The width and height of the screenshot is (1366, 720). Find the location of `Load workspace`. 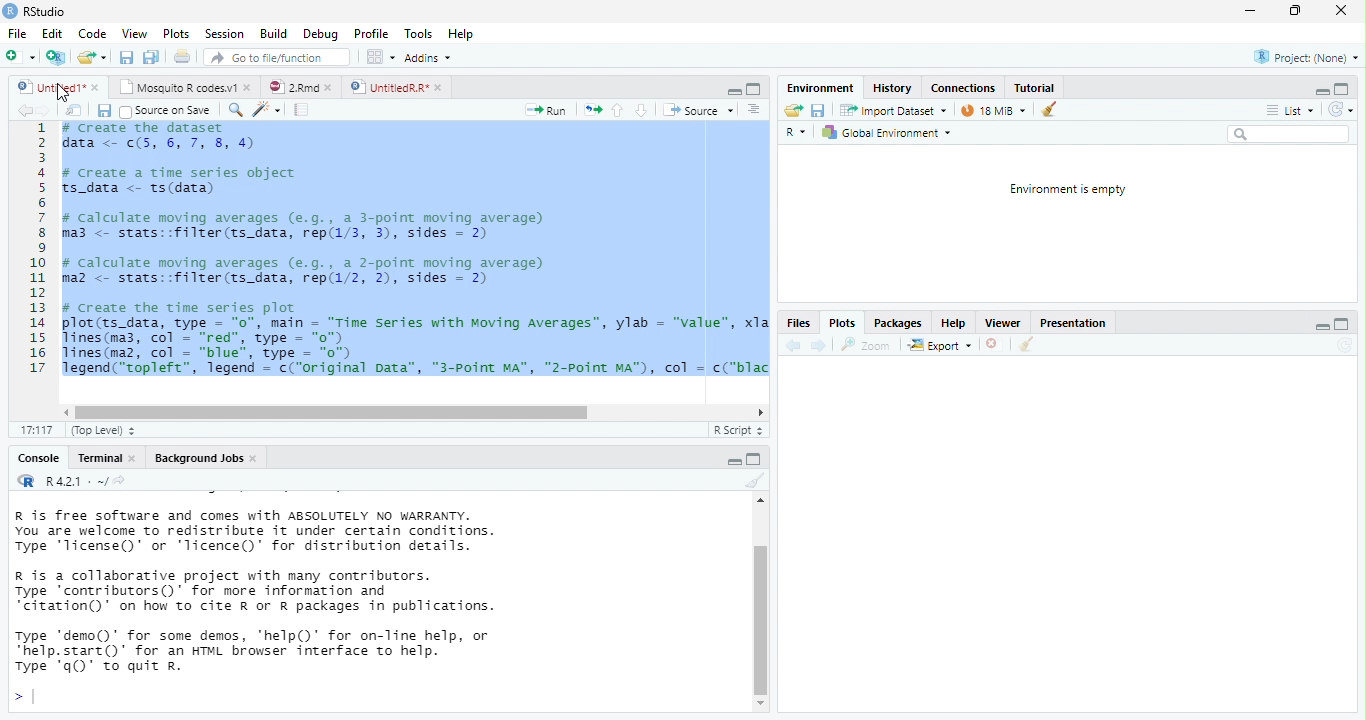

Load workspace is located at coordinates (793, 111).